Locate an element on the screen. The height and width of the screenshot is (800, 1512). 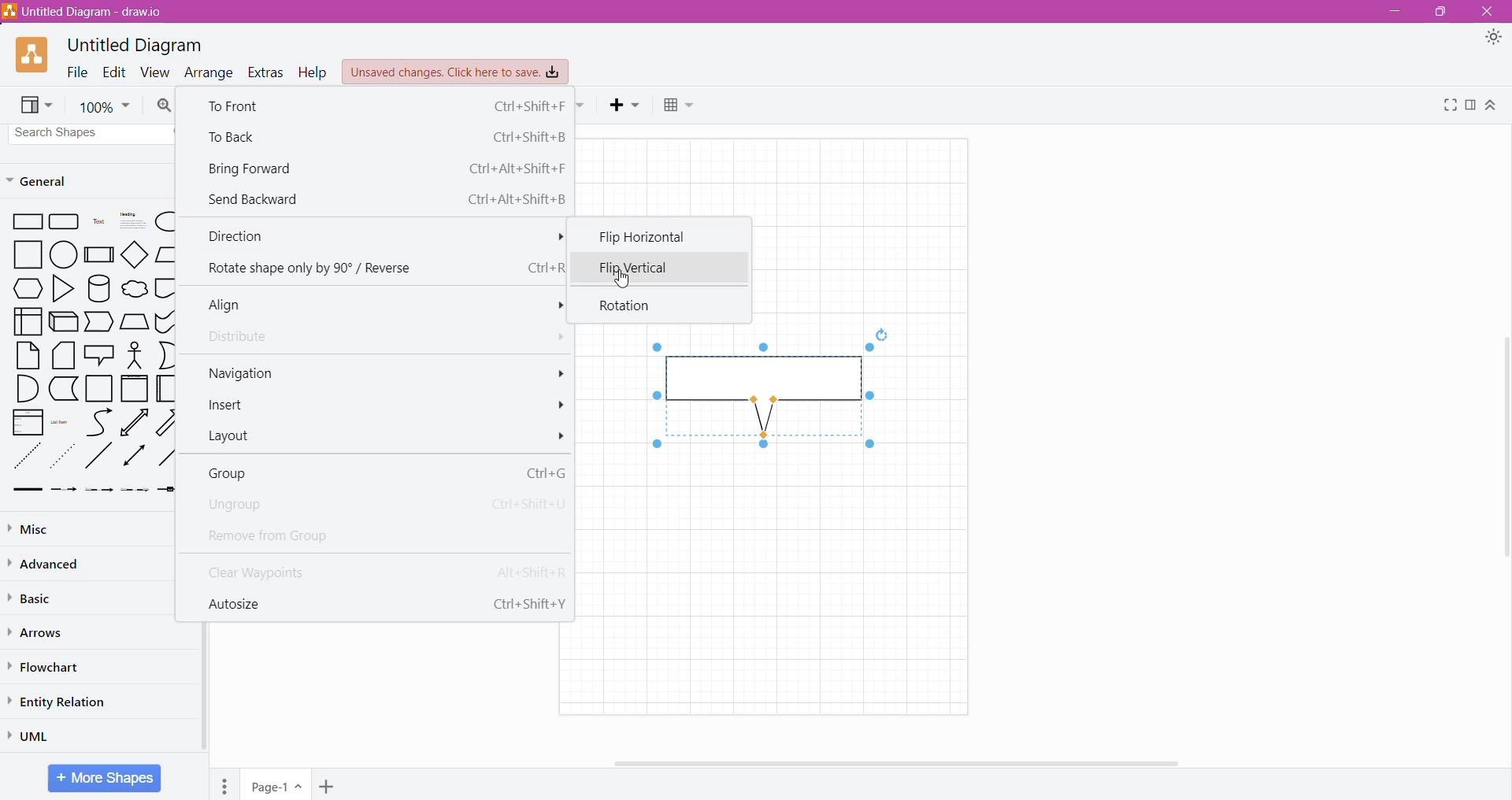
Curved Line is located at coordinates (98, 421).